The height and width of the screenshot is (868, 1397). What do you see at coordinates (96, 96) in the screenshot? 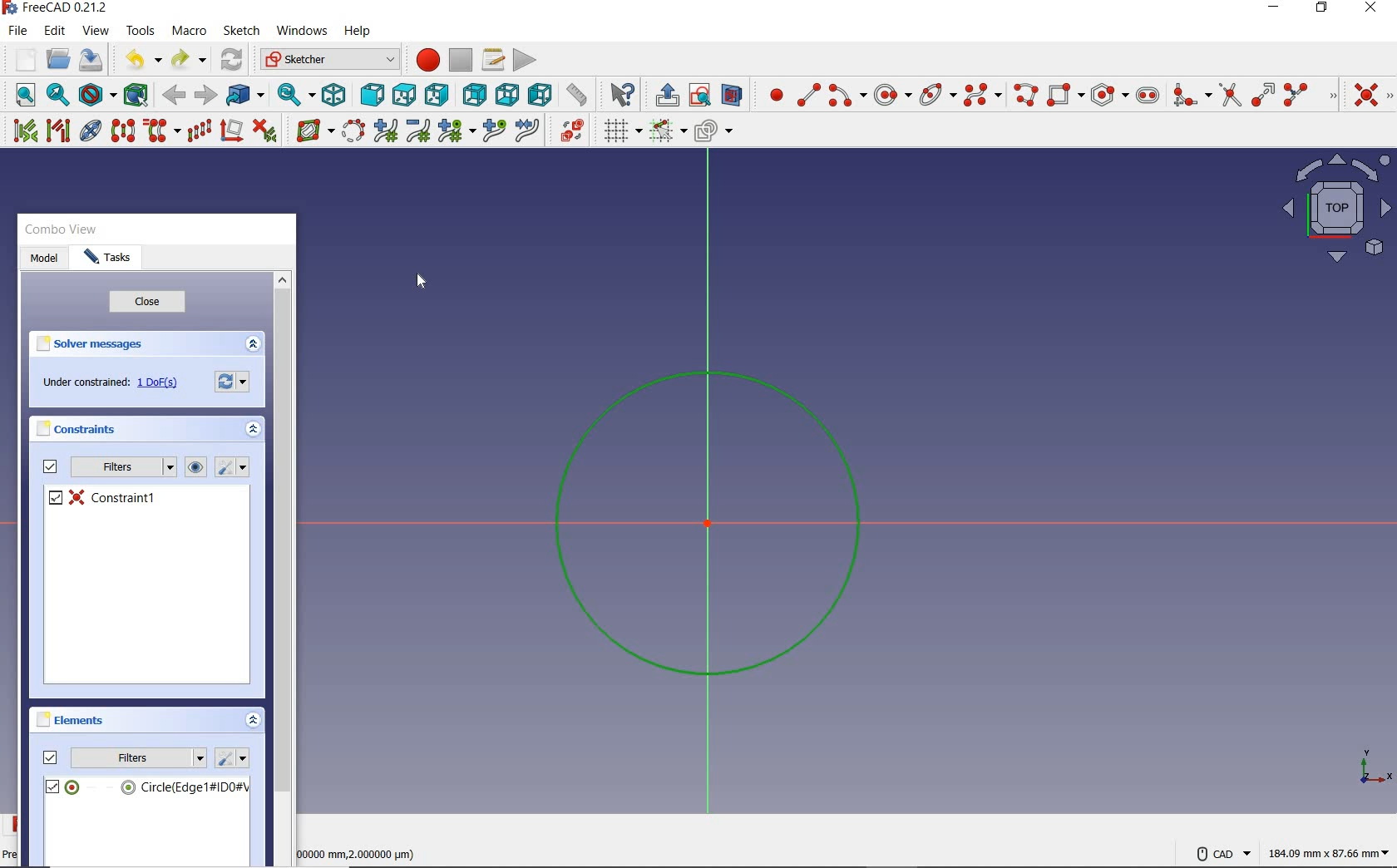
I see `draw style` at bounding box center [96, 96].